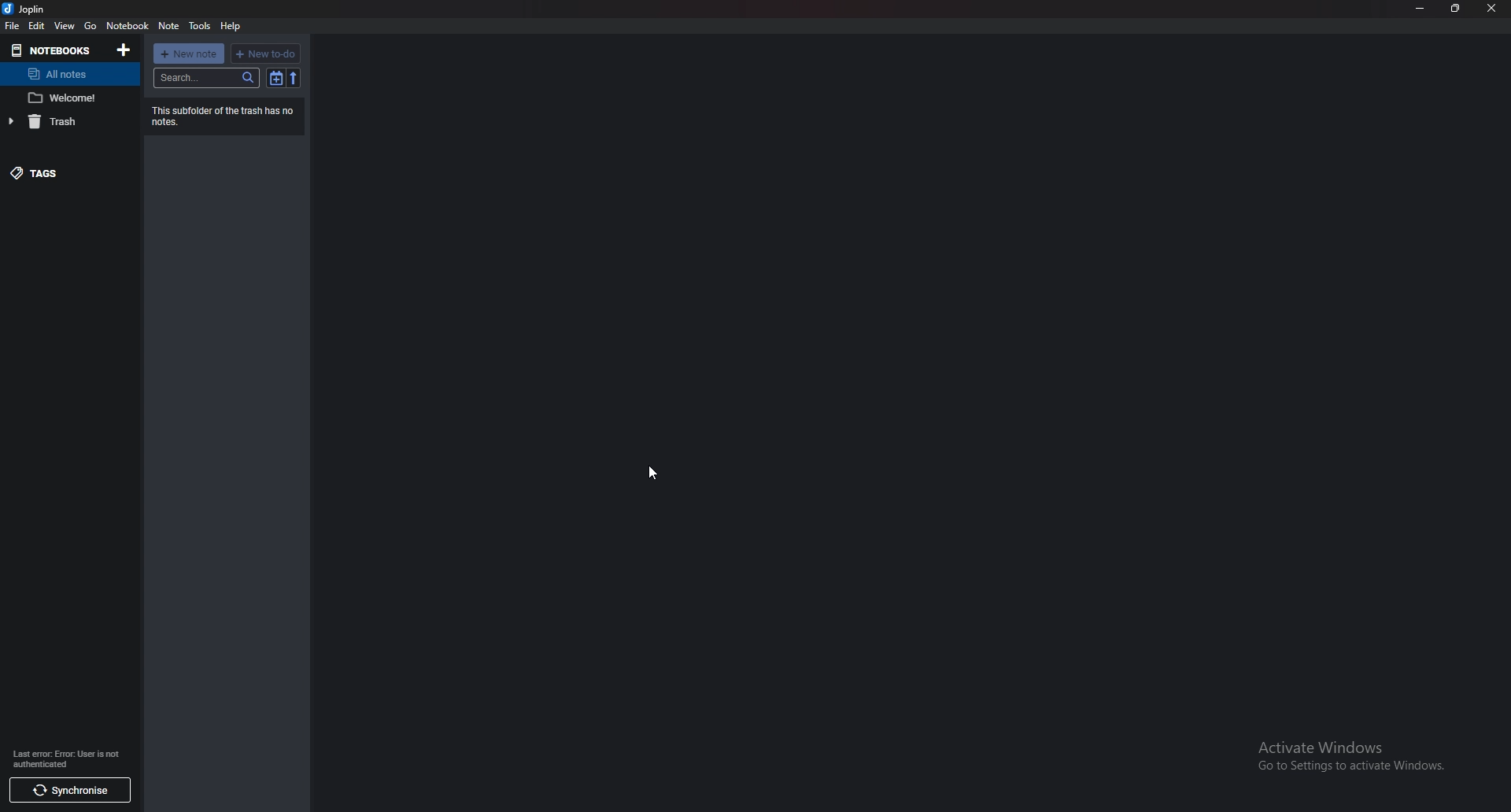 This screenshot has width=1511, height=812. What do you see at coordinates (188, 54) in the screenshot?
I see `new note` at bounding box center [188, 54].